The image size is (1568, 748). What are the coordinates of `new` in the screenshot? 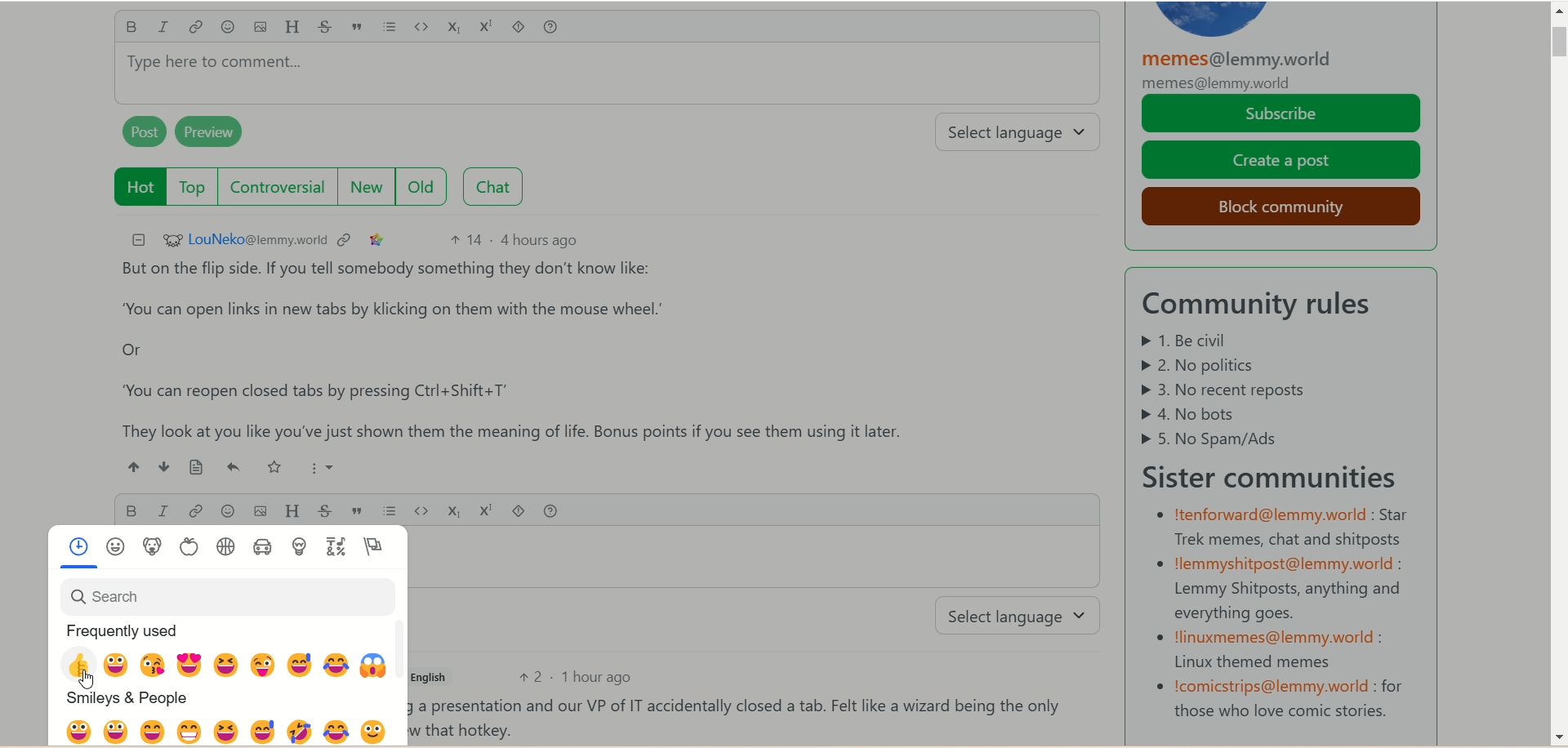 It's located at (369, 187).